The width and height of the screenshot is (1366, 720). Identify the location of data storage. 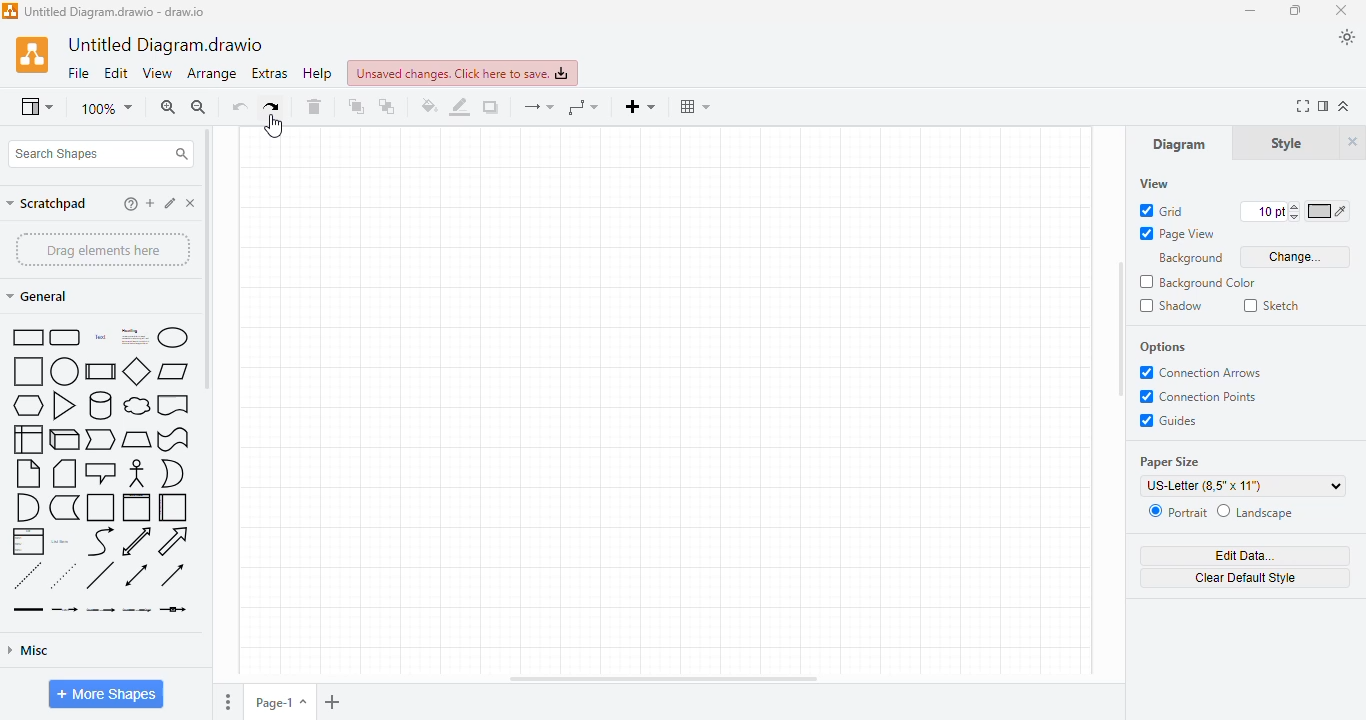
(64, 507).